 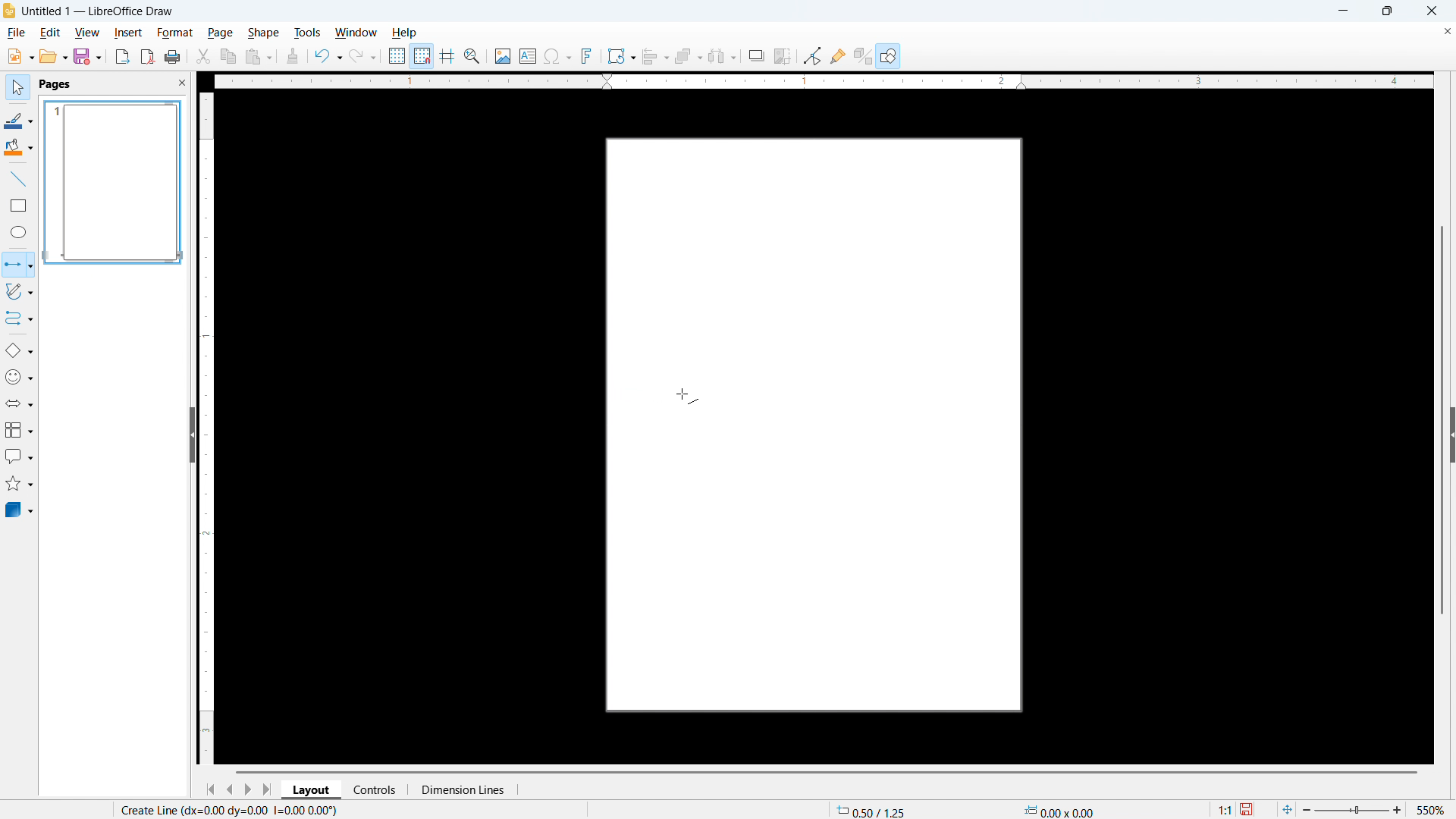 I want to click on Tools , so click(x=307, y=33).